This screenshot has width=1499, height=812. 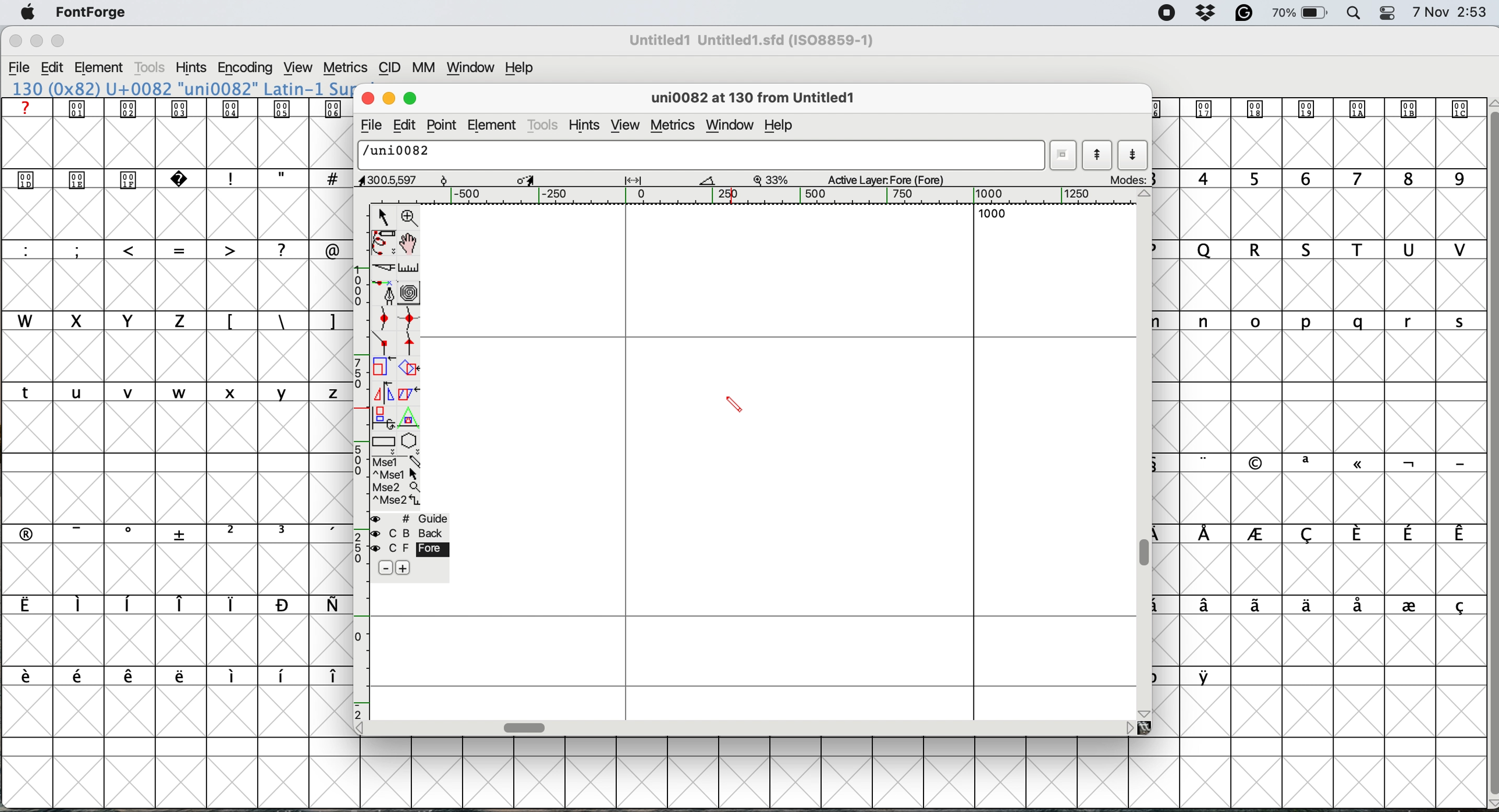 What do you see at coordinates (385, 294) in the screenshot?
I see `add a point then drag out its control points` at bounding box center [385, 294].